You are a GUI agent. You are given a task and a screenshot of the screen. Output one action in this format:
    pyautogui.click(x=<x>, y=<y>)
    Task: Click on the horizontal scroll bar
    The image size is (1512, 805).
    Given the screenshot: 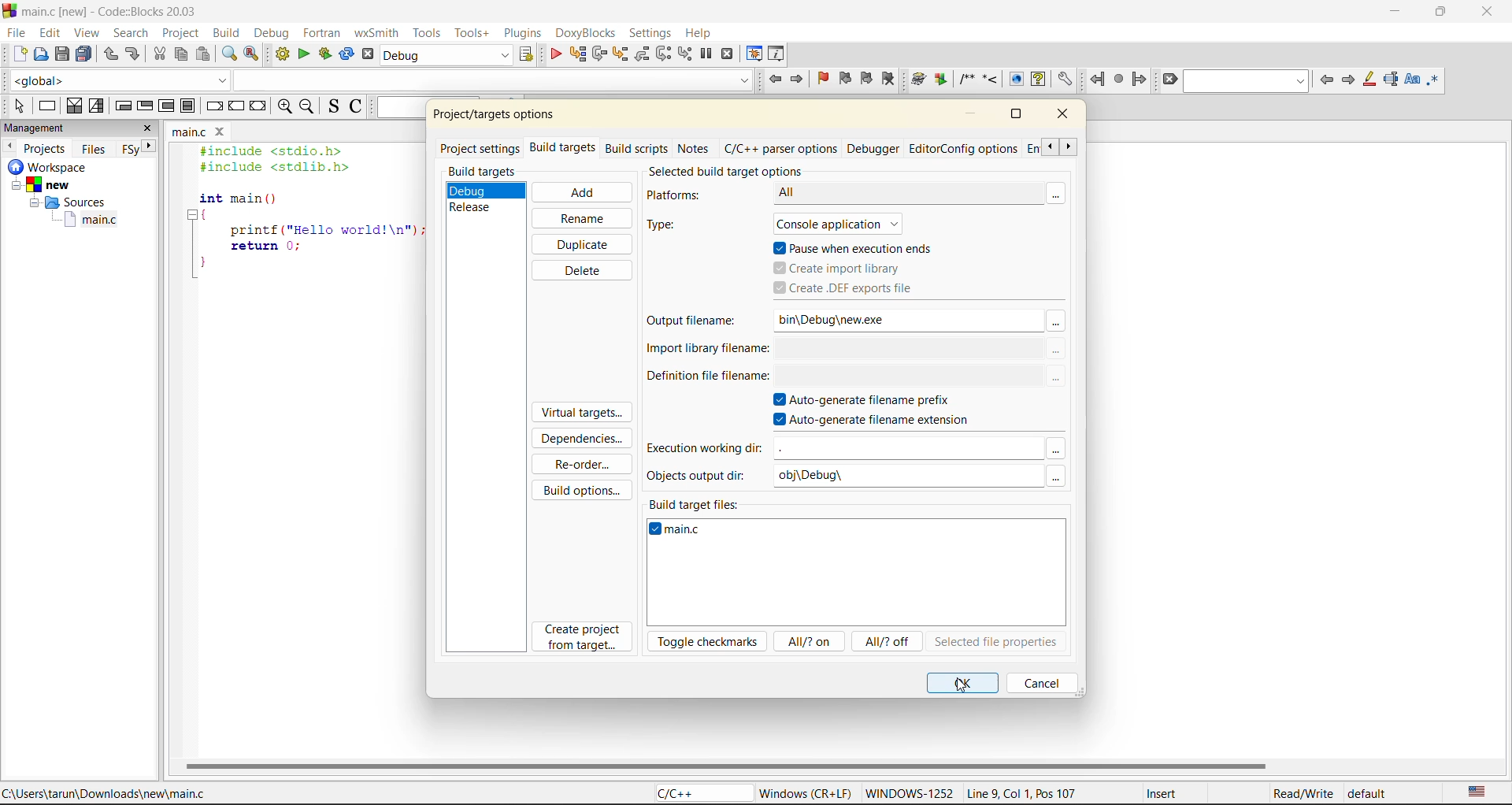 What is the action you would take?
    pyautogui.click(x=727, y=765)
    